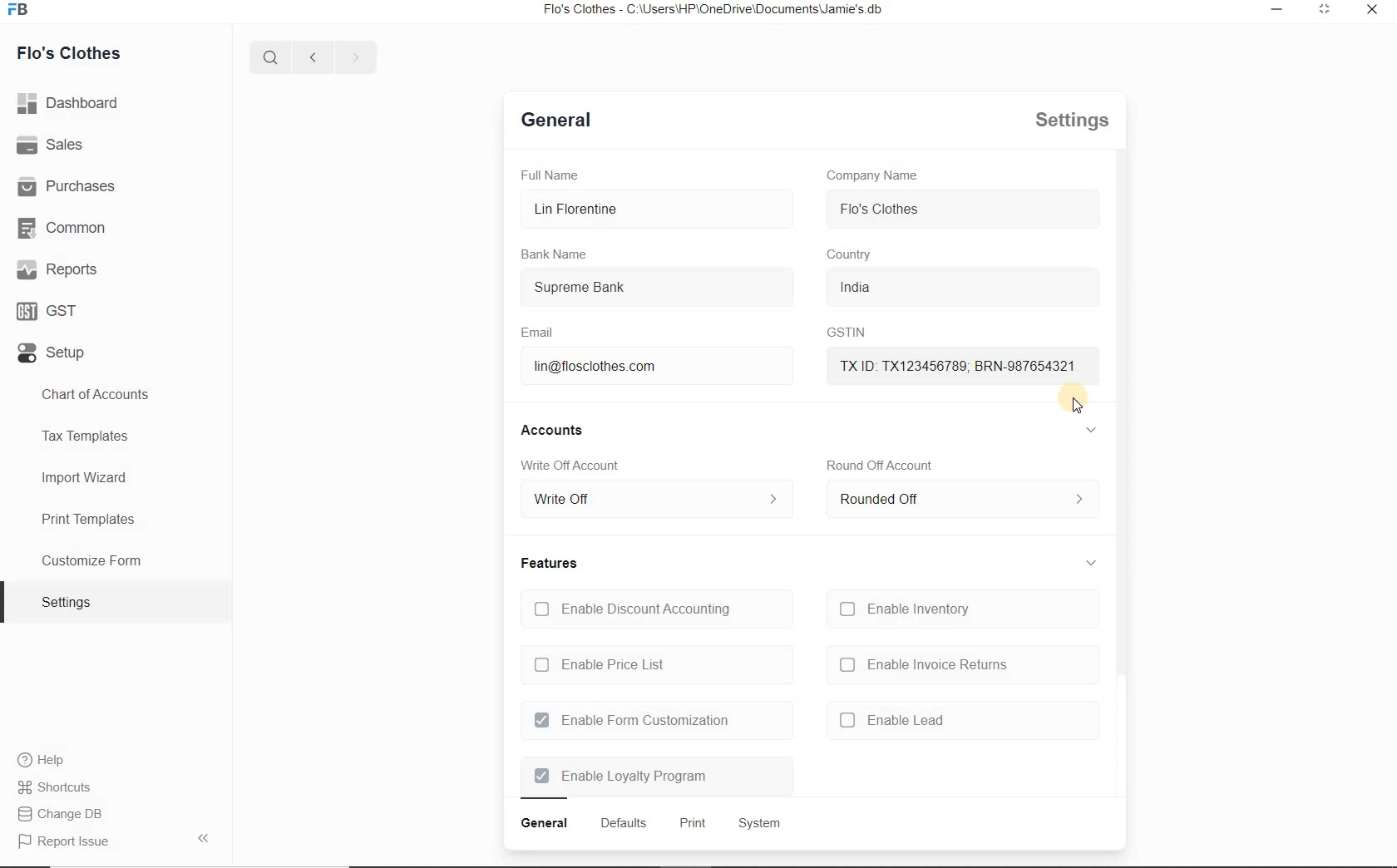 The height and width of the screenshot is (868, 1397). Describe the element at coordinates (621, 777) in the screenshot. I see `Enable Loyalty Program` at that location.